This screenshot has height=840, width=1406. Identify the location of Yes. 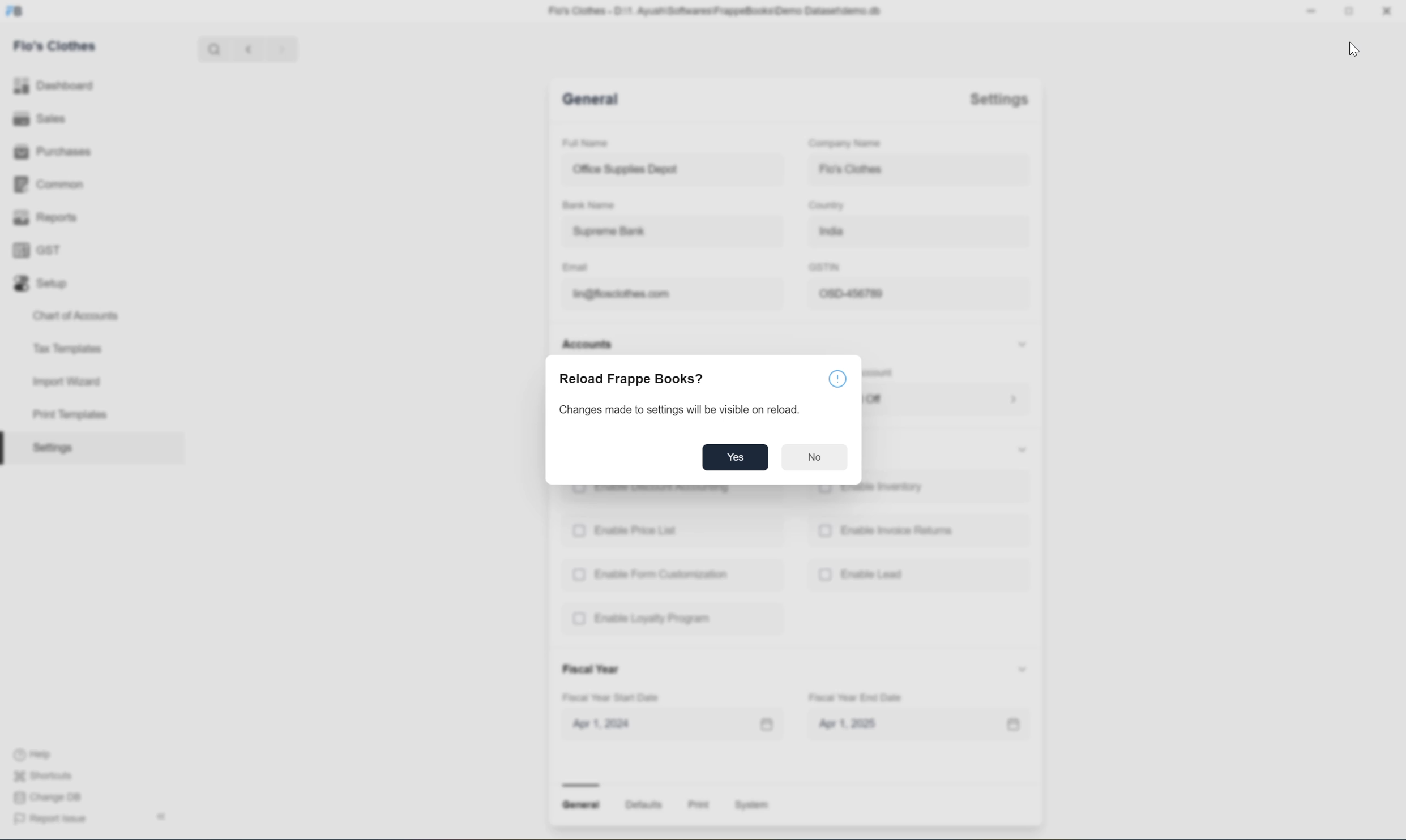
(733, 456).